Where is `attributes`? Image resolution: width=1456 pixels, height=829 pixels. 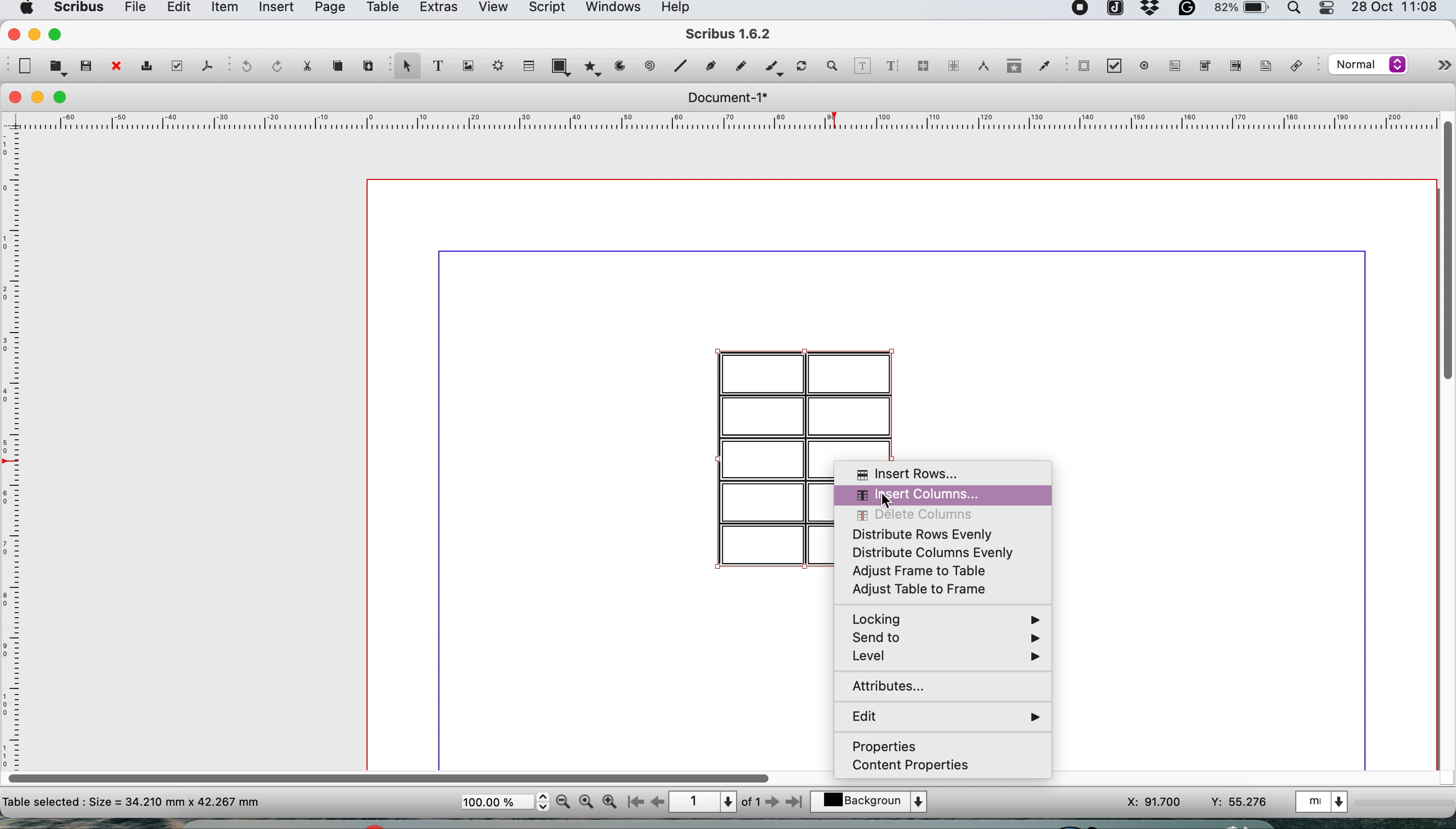
attributes is located at coordinates (938, 687).